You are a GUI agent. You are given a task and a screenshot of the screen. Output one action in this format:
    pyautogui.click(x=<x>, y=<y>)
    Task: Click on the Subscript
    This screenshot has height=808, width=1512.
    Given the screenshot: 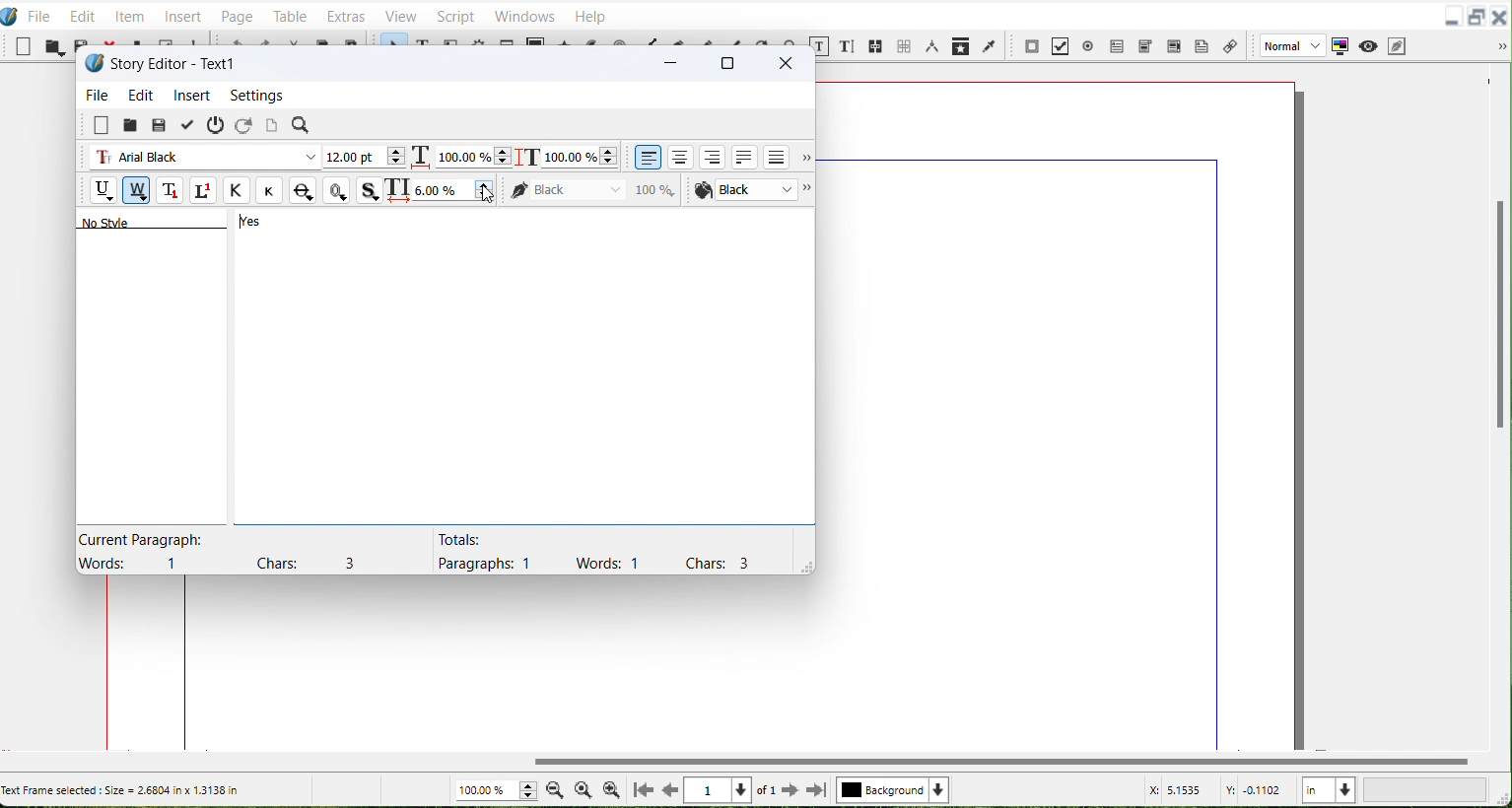 What is the action you would take?
    pyautogui.click(x=169, y=190)
    